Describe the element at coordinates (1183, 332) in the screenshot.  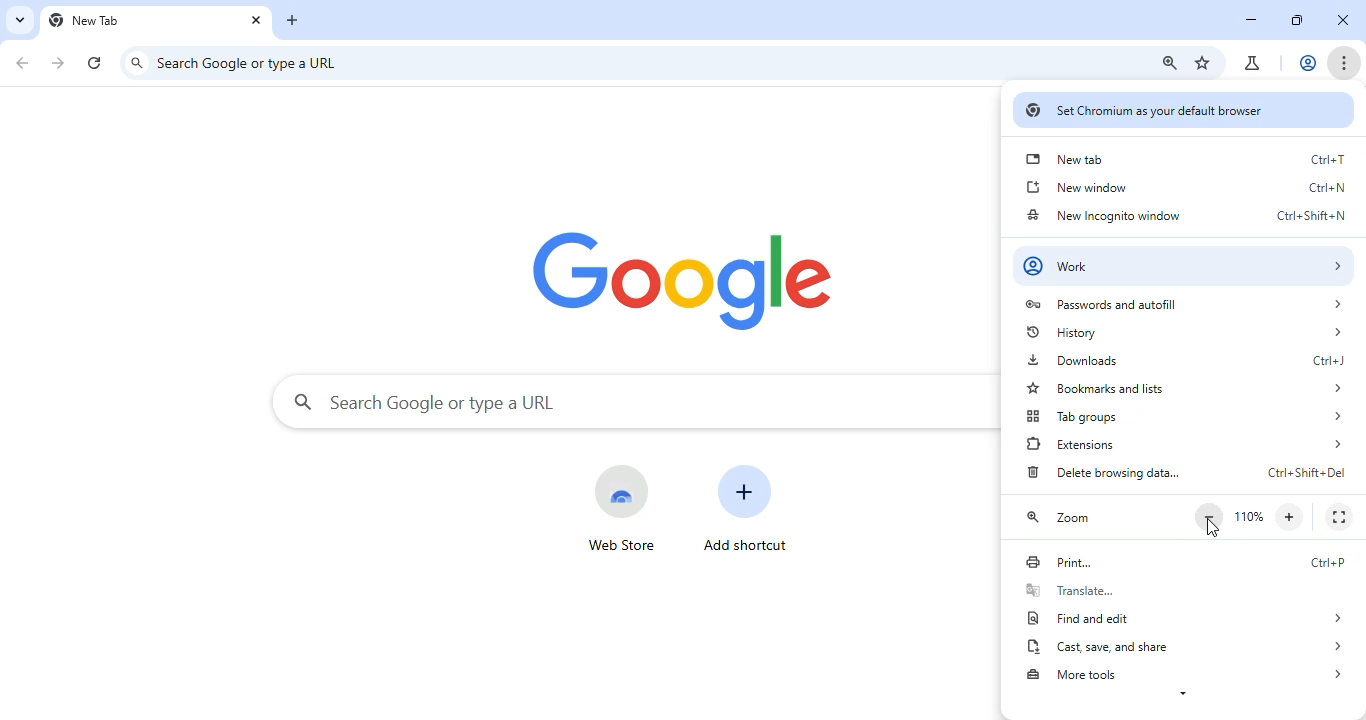
I see `history` at that location.